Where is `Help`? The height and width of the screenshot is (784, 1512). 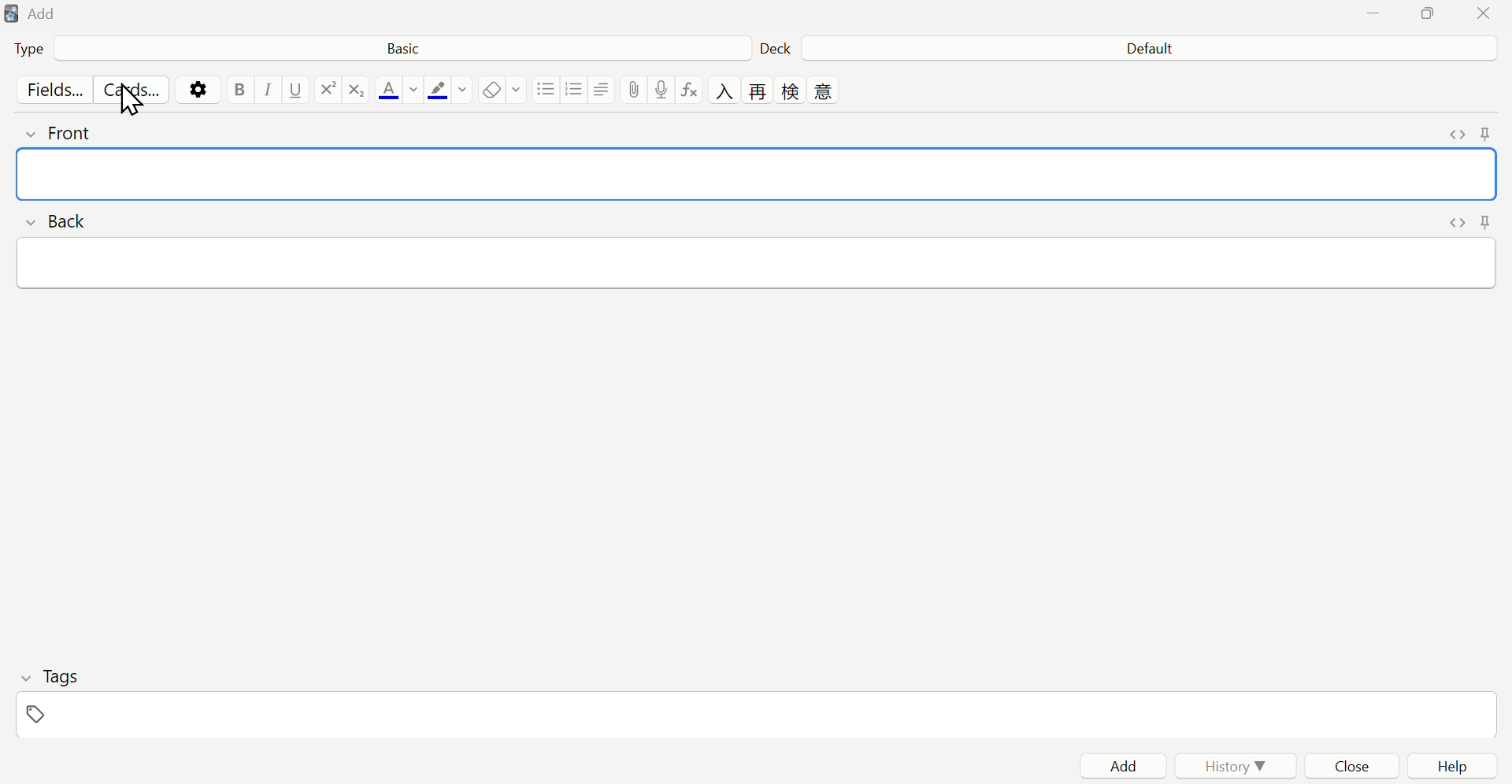 Help is located at coordinates (1450, 765).